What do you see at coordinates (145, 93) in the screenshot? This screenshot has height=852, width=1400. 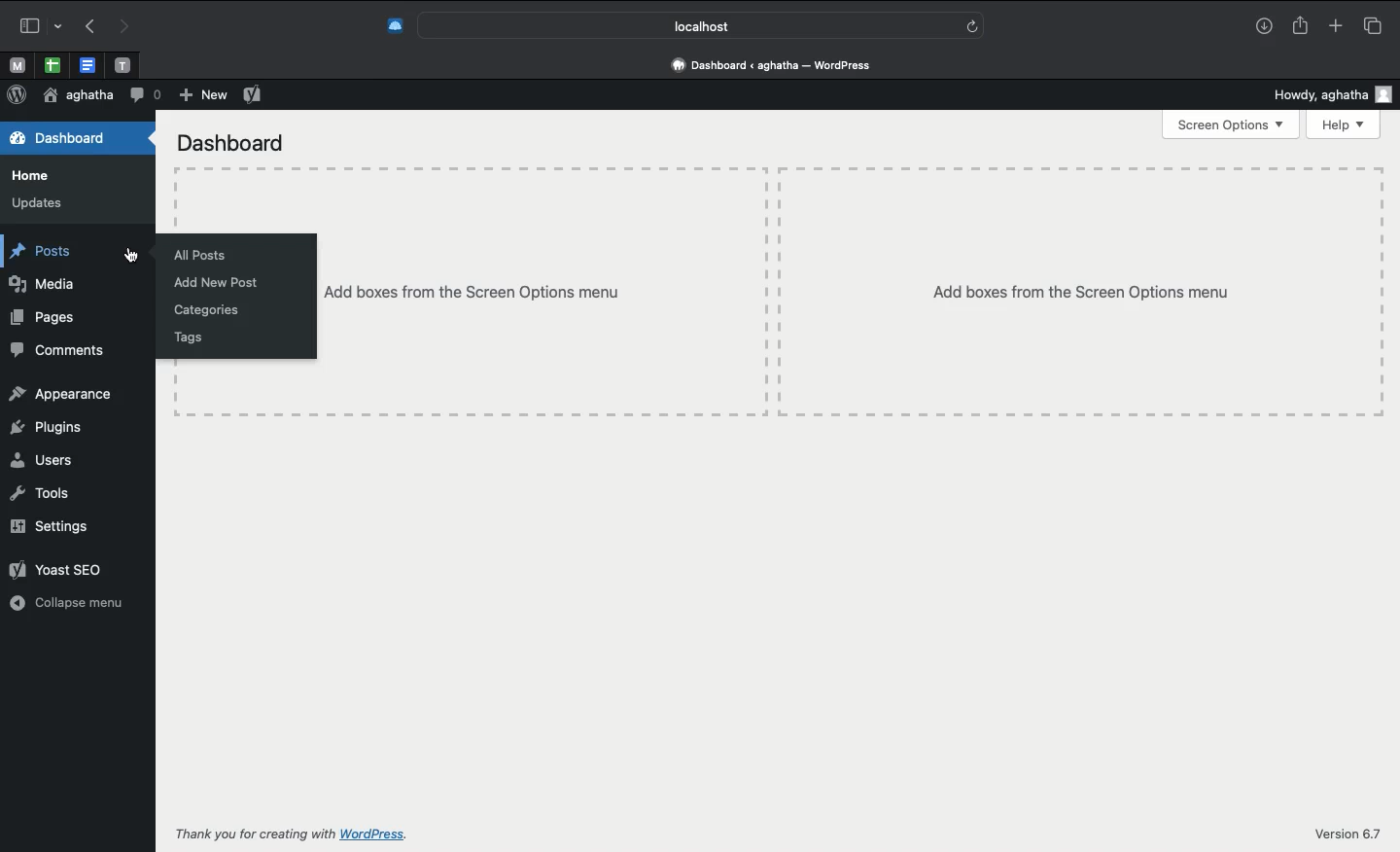 I see `Comment` at bounding box center [145, 93].